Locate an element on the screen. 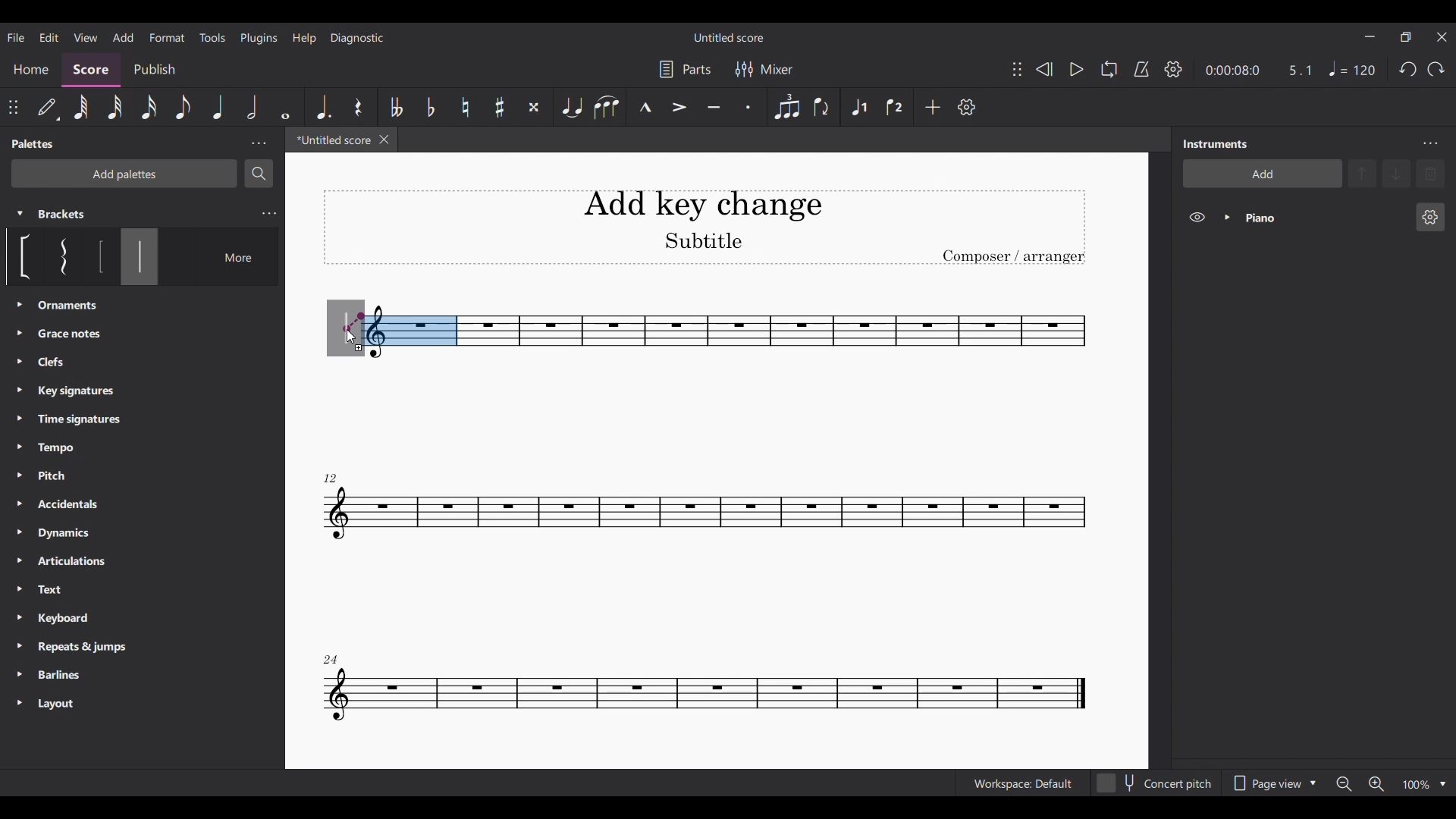  Toggle sharp is located at coordinates (500, 108).